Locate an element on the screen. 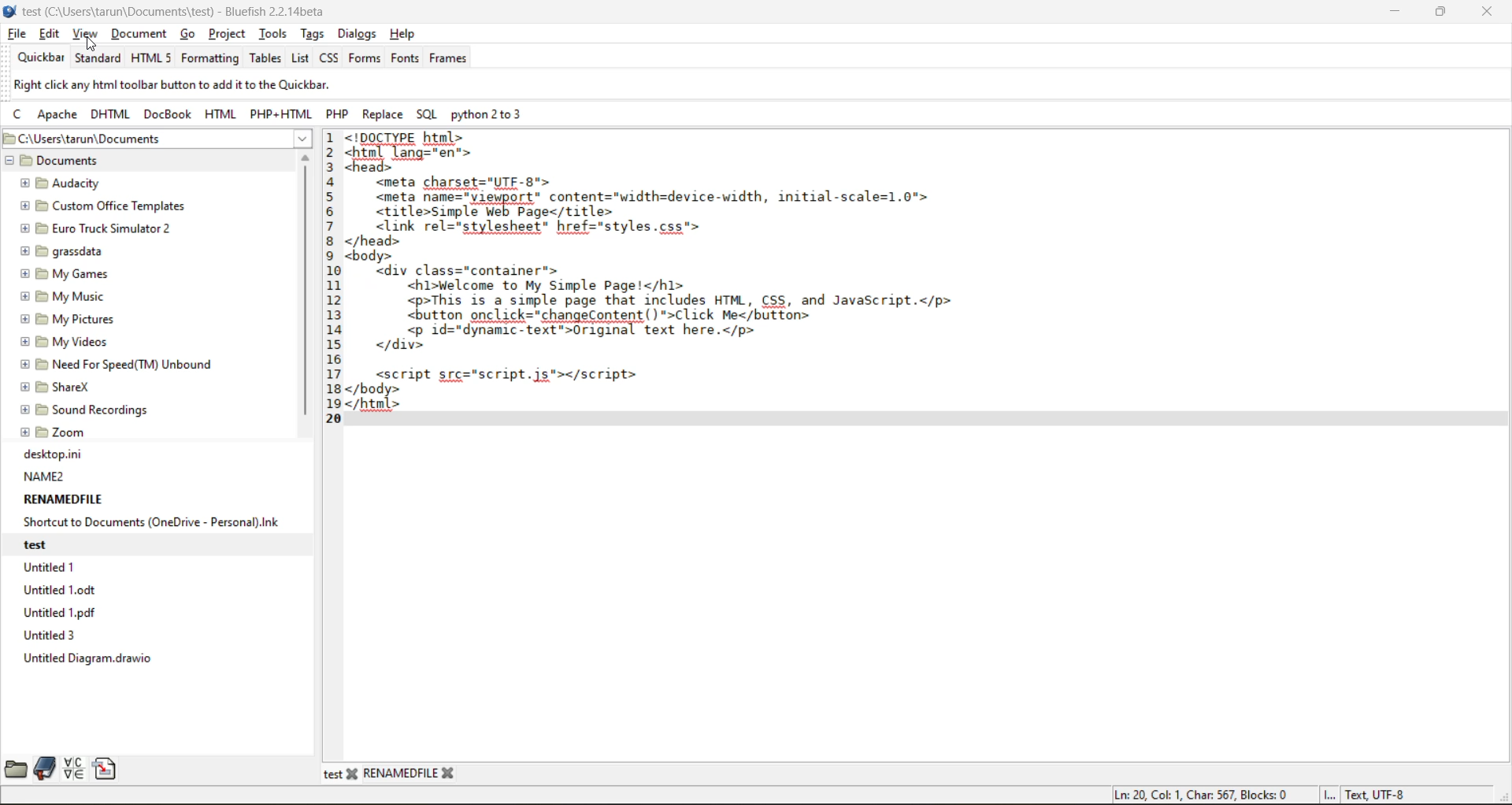 The height and width of the screenshot is (805, 1512). ® 3 My Videos is located at coordinates (62, 342).